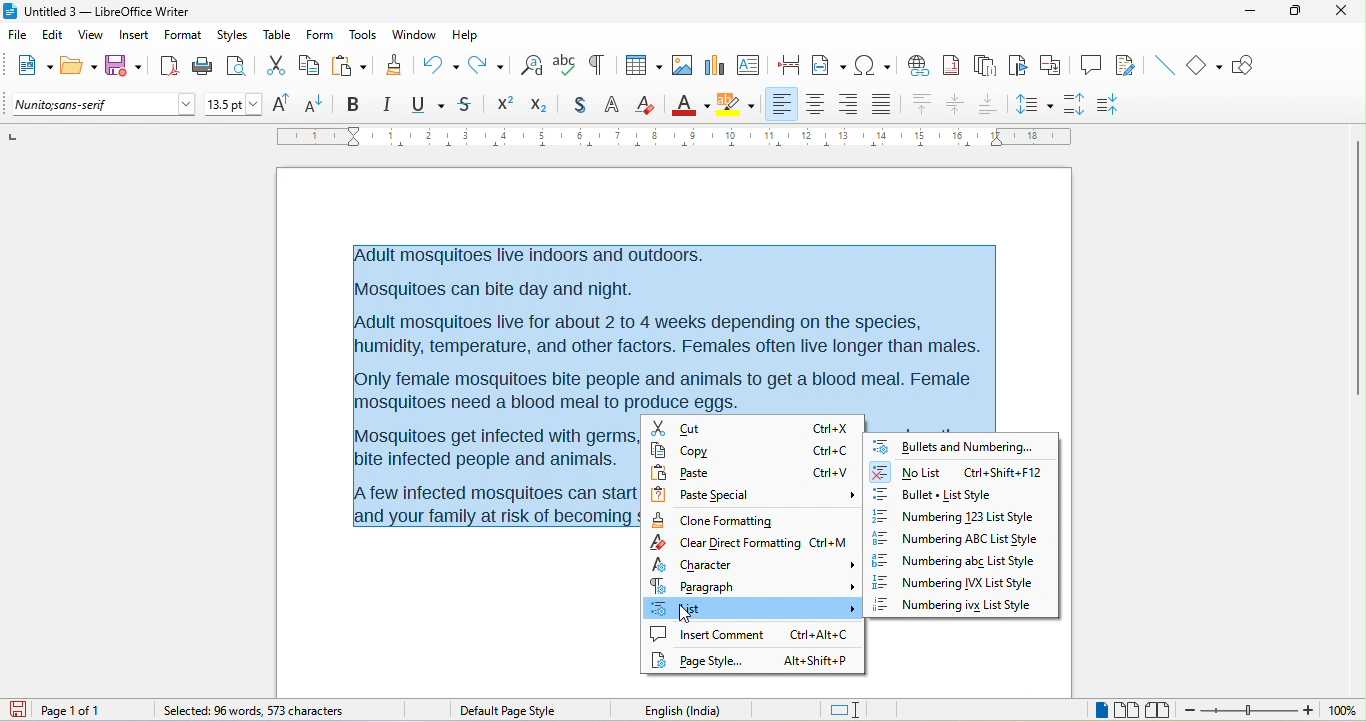 This screenshot has width=1366, height=722. Describe the element at coordinates (954, 64) in the screenshot. I see `footnote` at that location.